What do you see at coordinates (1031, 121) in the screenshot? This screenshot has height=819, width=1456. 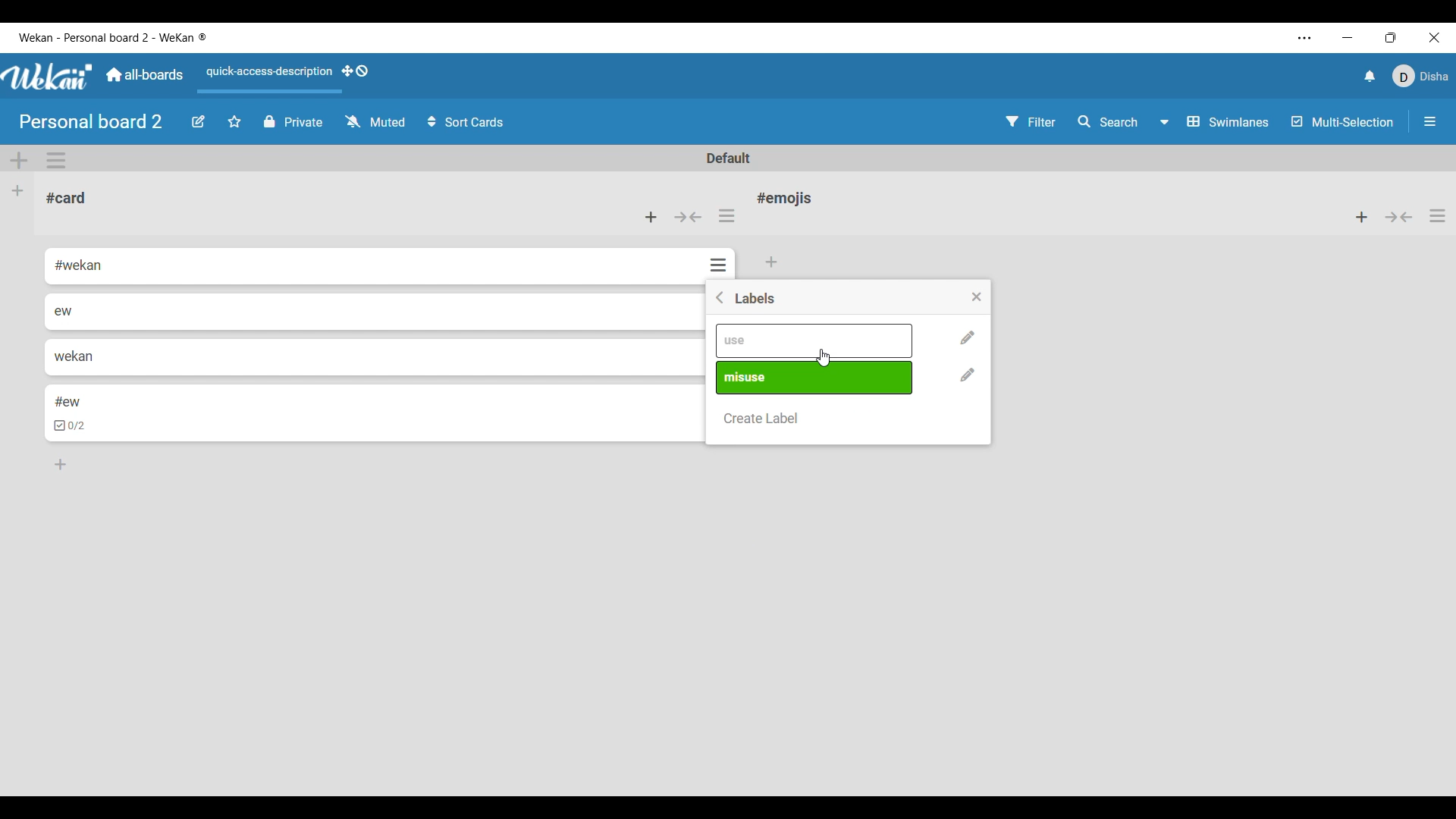 I see `Filter settings` at bounding box center [1031, 121].